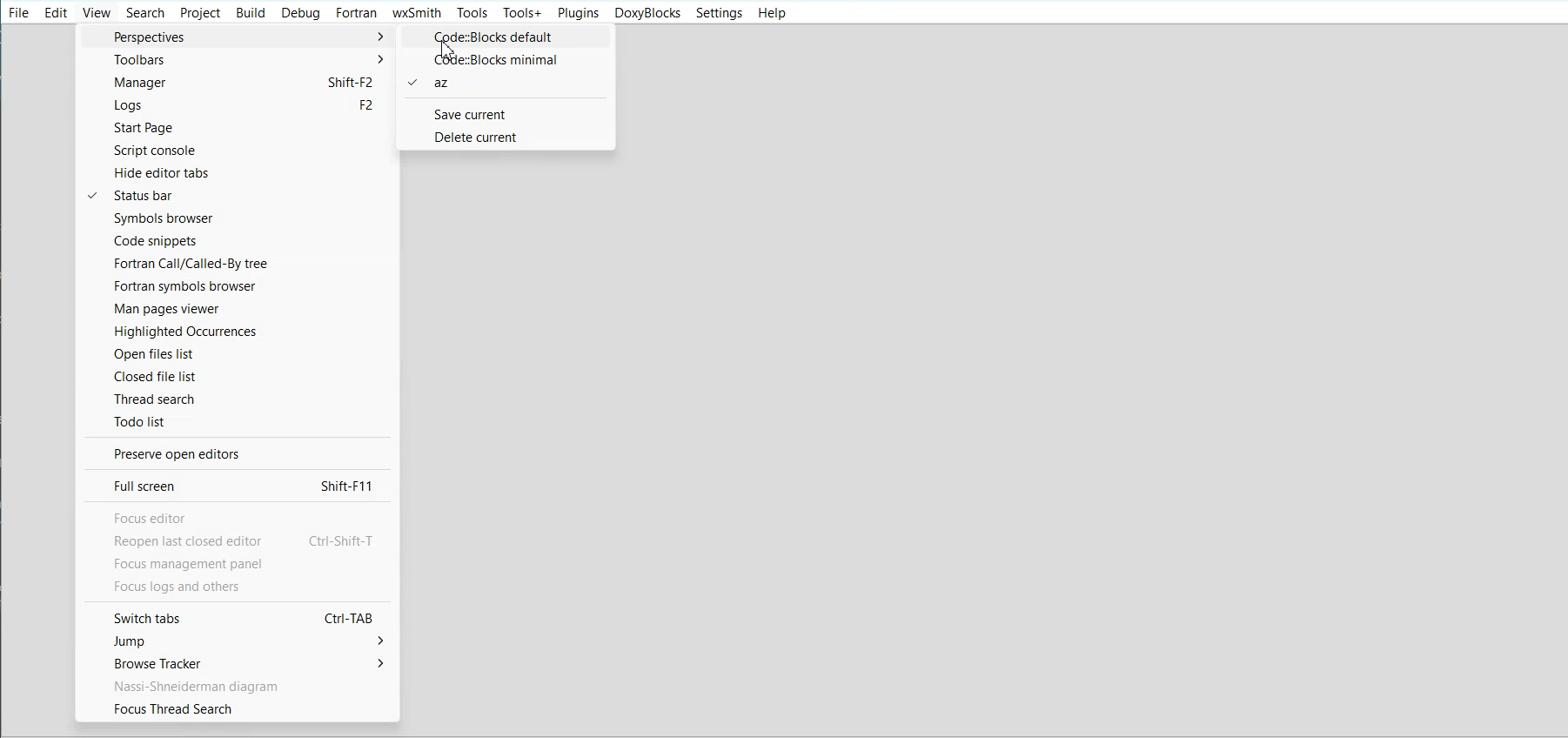 The width and height of the screenshot is (1568, 738). Describe the element at coordinates (417, 13) in the screenshot. I see `wxSmith` at that location.